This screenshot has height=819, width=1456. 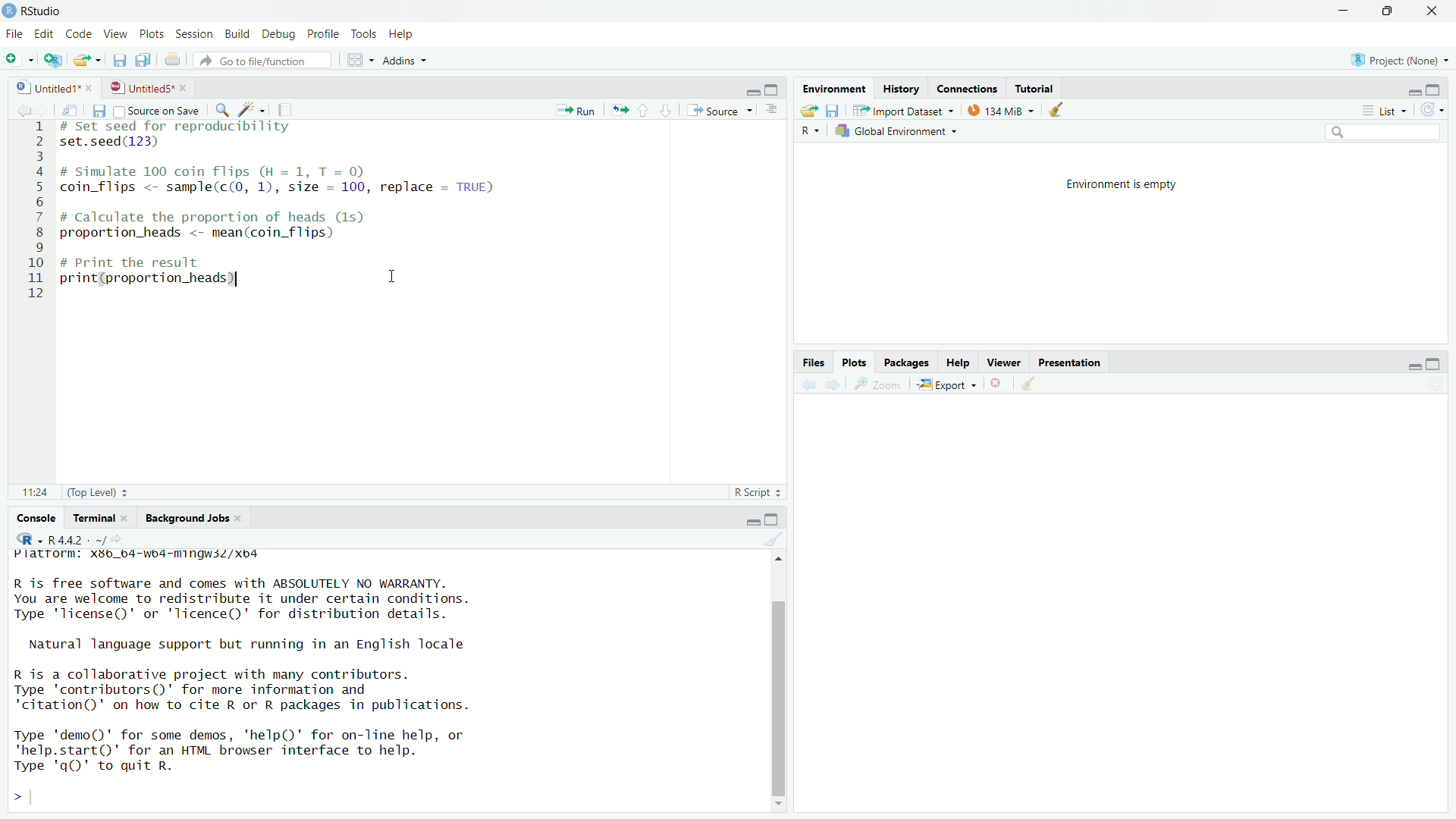 I want to click on session, so click(x=193, y=33).